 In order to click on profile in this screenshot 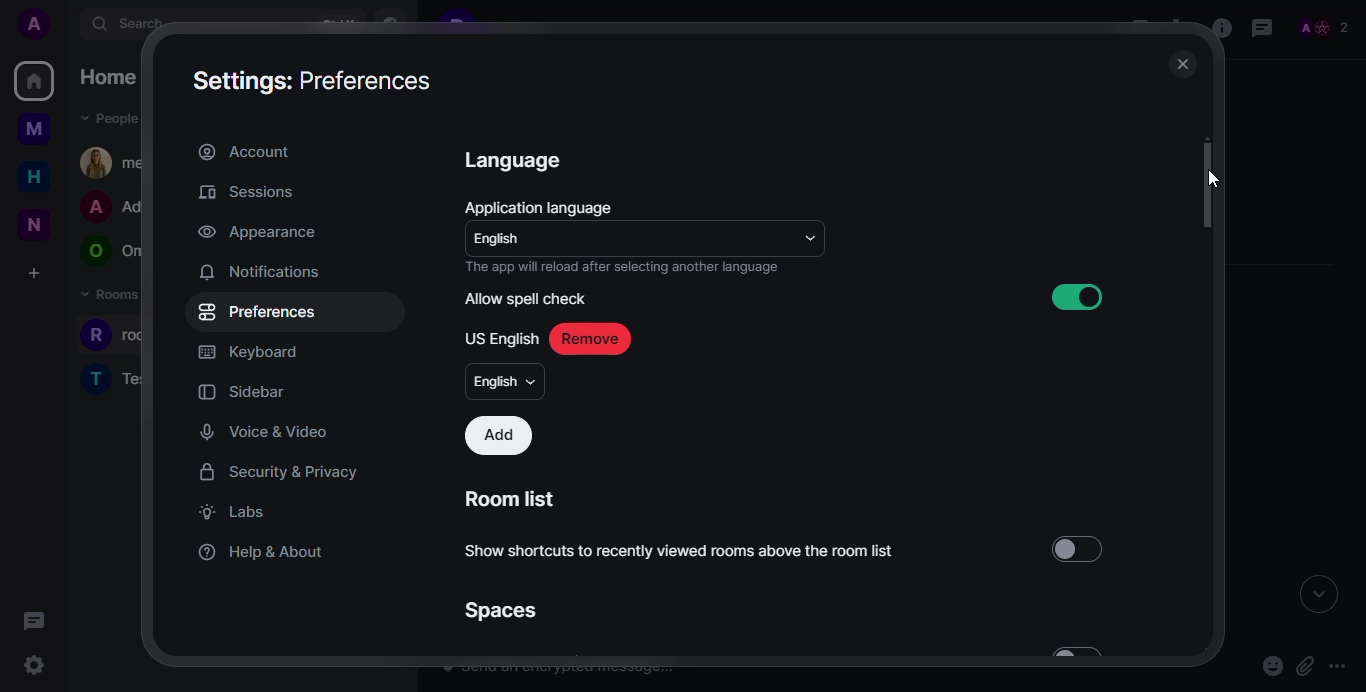, I will do `click(35, 24)`.